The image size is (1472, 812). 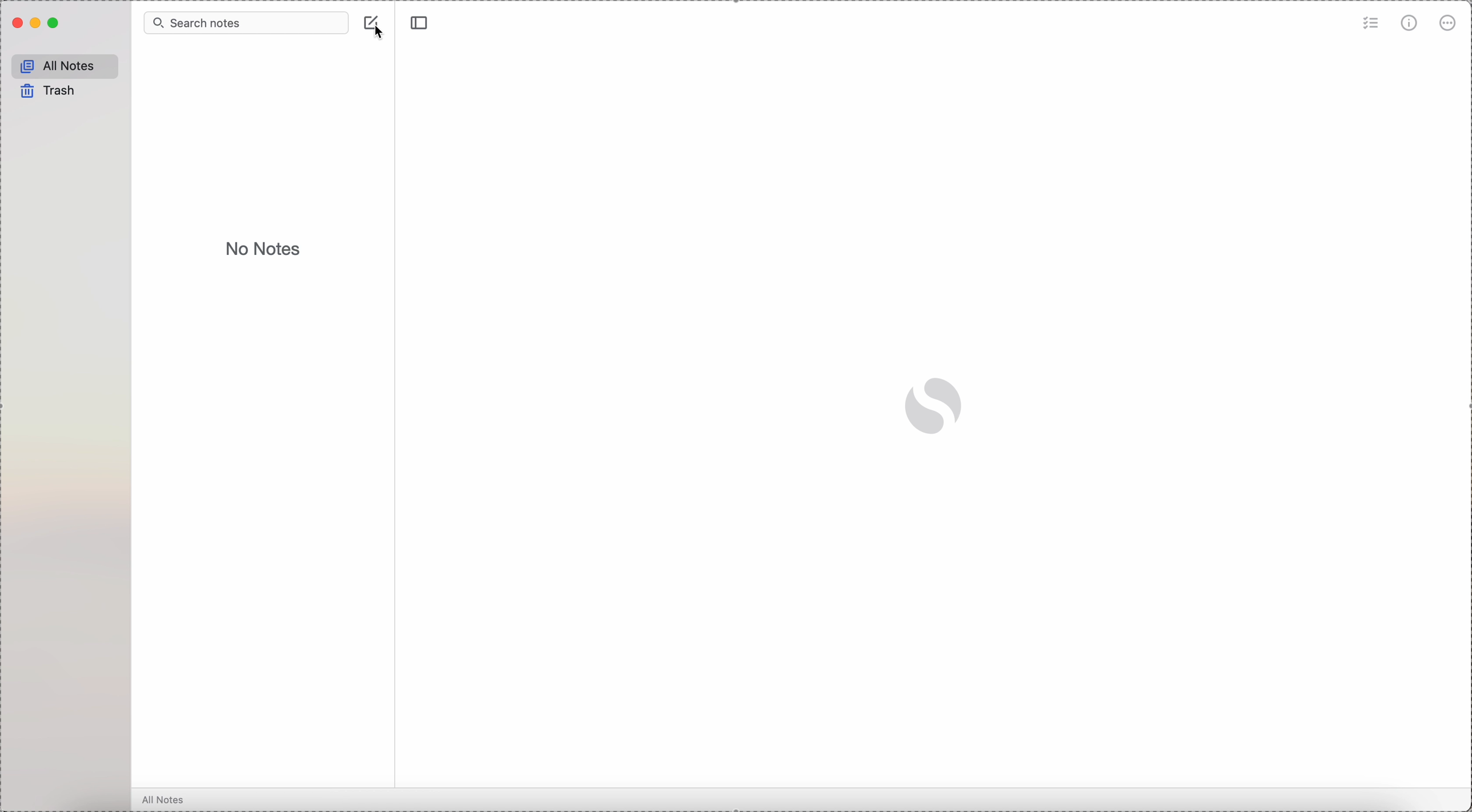 What do you see at coordinates (246, 22) in the screenshot?
I see `search bar` at bounding box center [246, 22].